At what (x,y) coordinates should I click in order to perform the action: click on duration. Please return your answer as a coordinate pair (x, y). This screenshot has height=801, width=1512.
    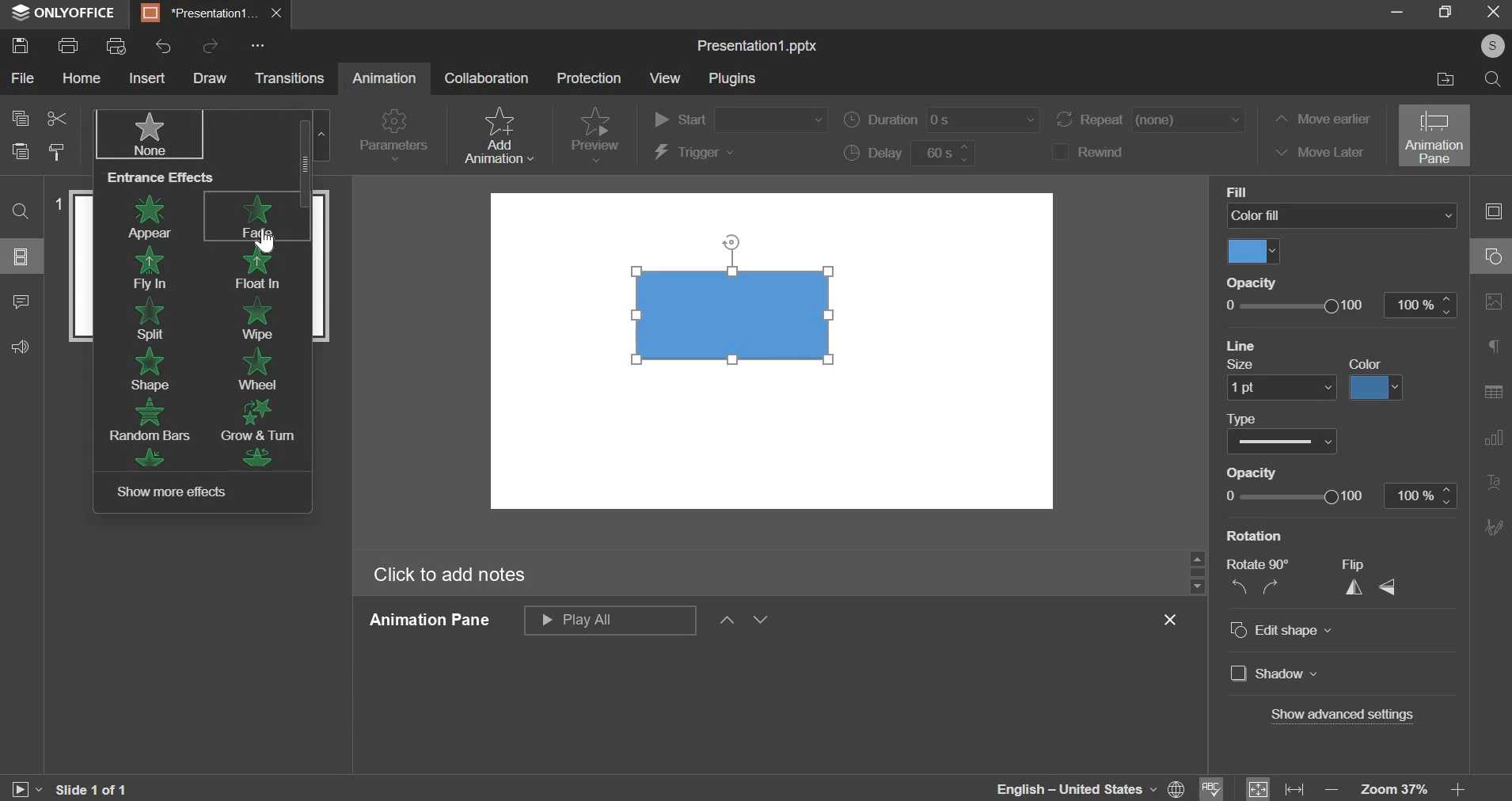
    Looking at the image, I should click on (944, 119).